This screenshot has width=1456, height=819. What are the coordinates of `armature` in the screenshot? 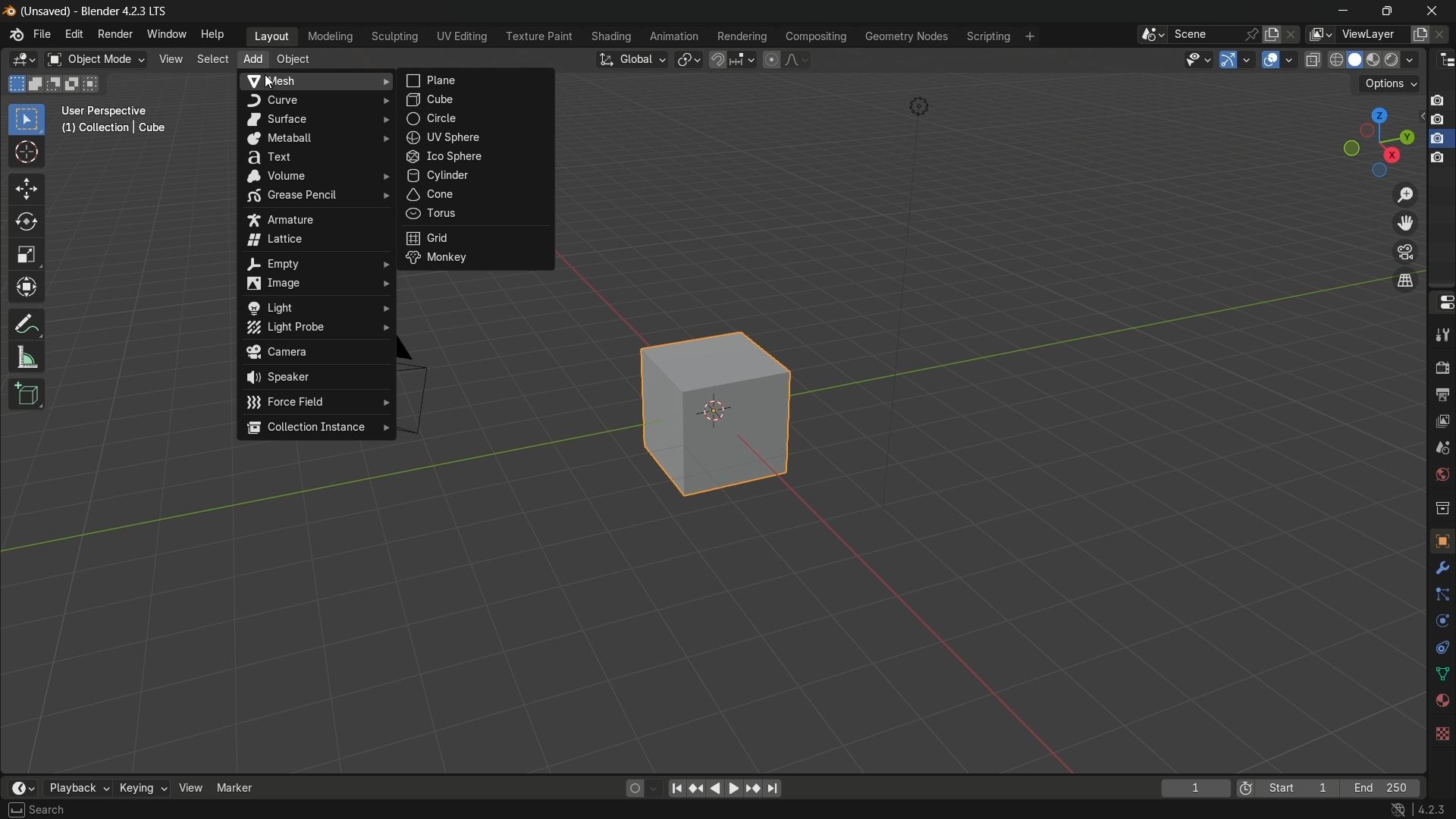 It's located at (314, 218).